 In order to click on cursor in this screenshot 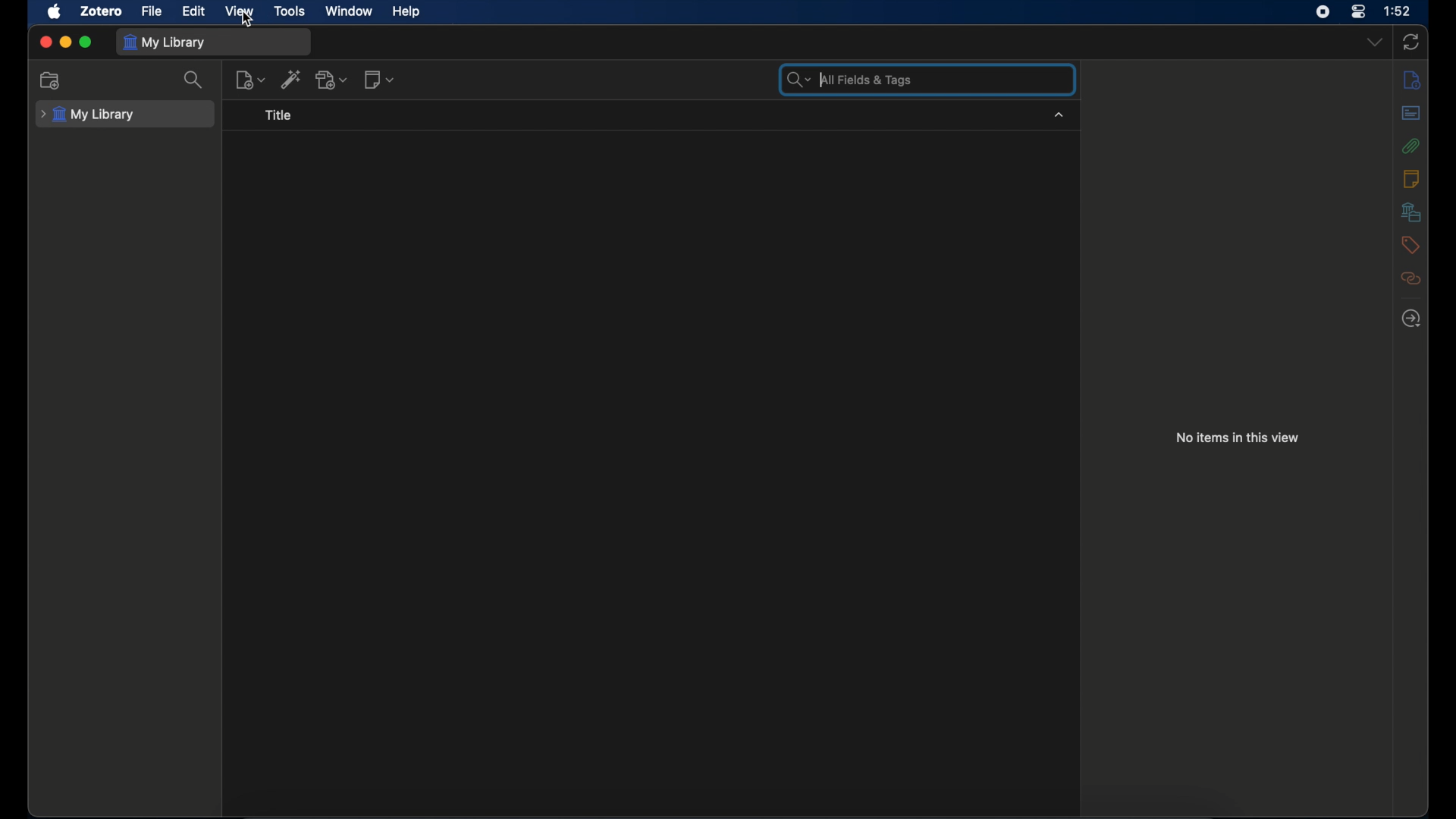, I will do `click(249, 21)`.